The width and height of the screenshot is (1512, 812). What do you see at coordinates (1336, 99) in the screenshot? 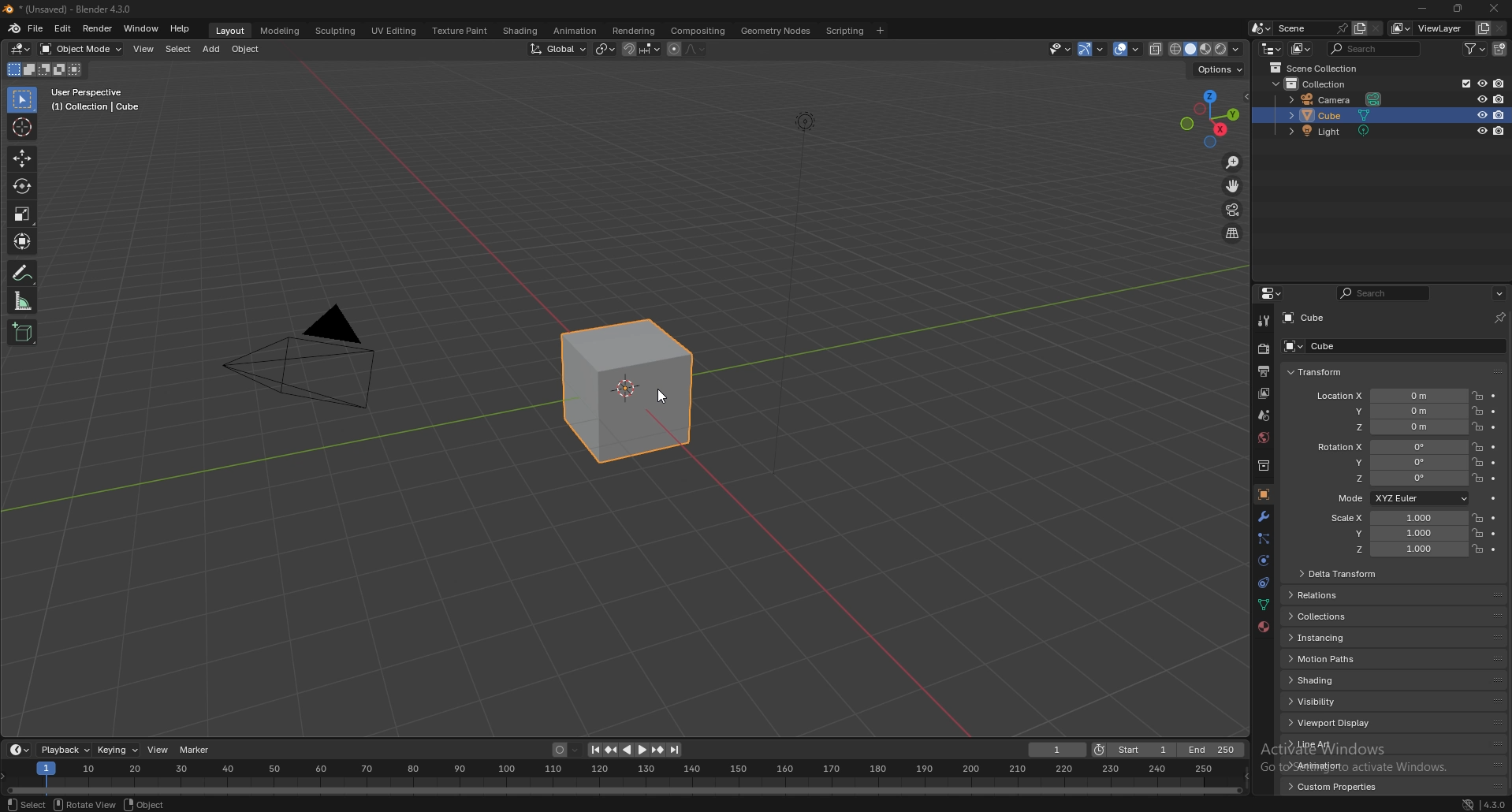
I see `camera` at bounding box center [1336, 99].